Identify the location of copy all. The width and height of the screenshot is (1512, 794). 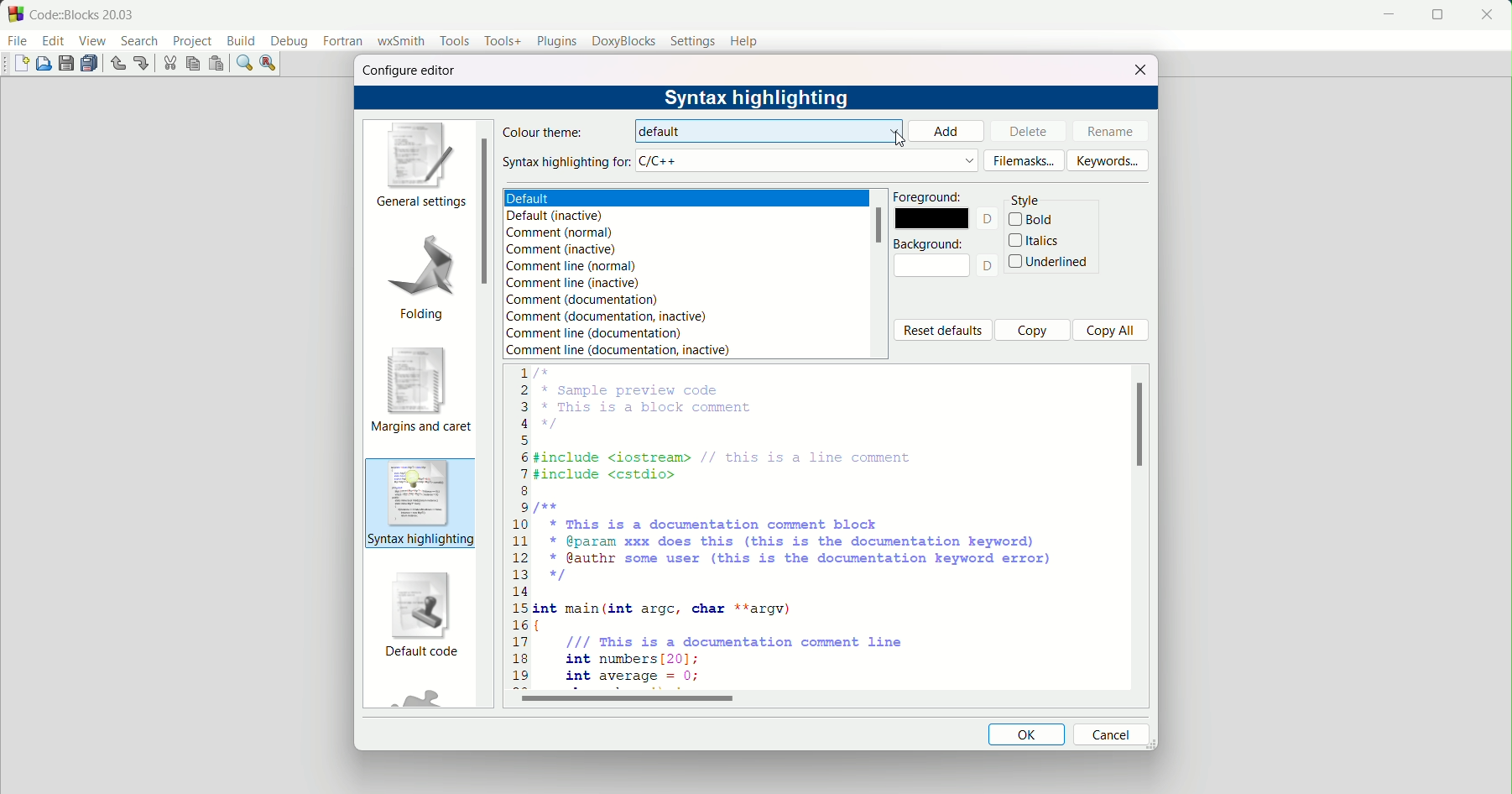
(1110, 331).